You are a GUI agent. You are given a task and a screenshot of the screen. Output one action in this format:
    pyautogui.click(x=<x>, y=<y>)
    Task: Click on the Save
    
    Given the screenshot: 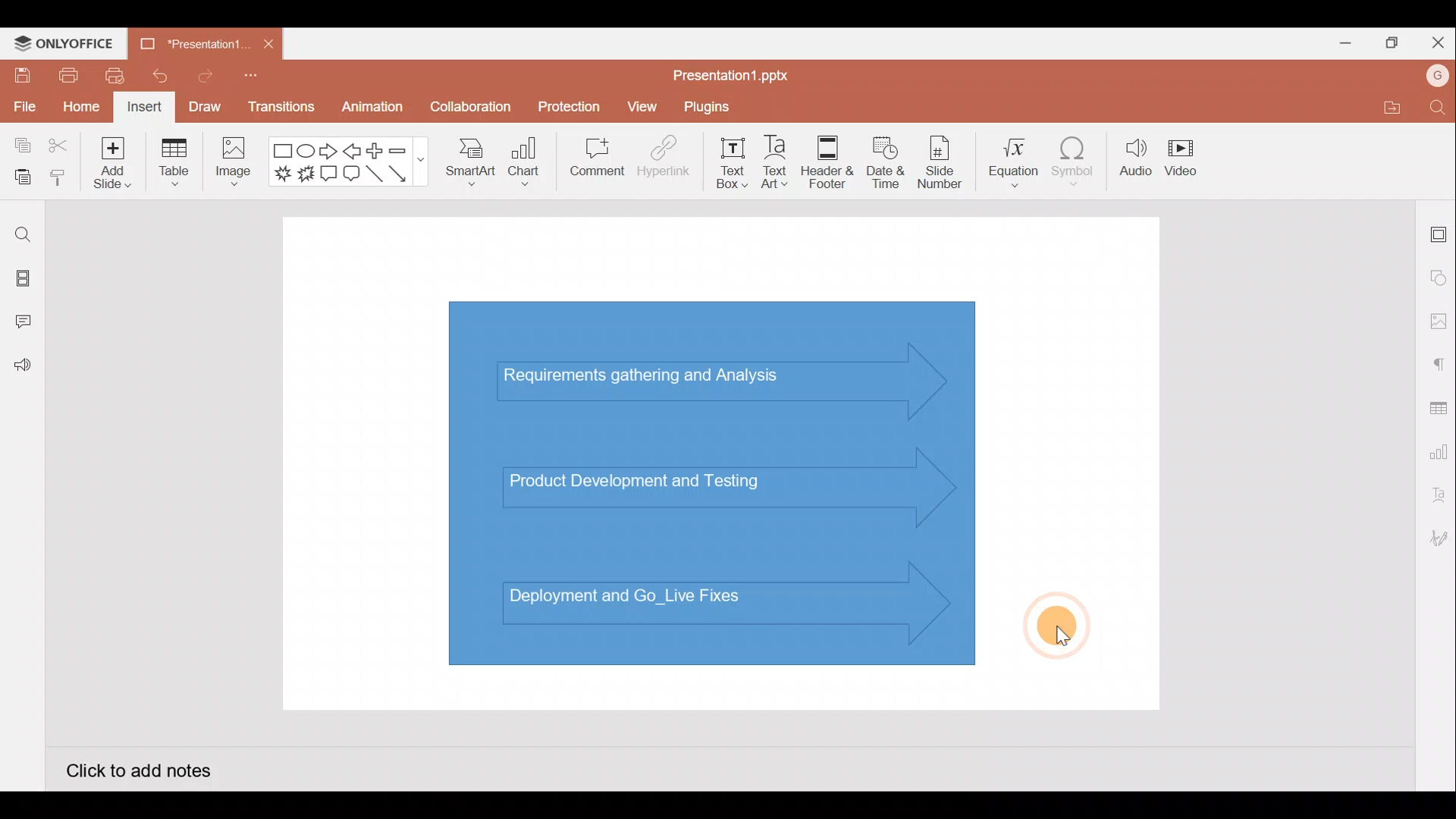 What is the action you would take?
    pyautogui.click(x=20, y=74)
    